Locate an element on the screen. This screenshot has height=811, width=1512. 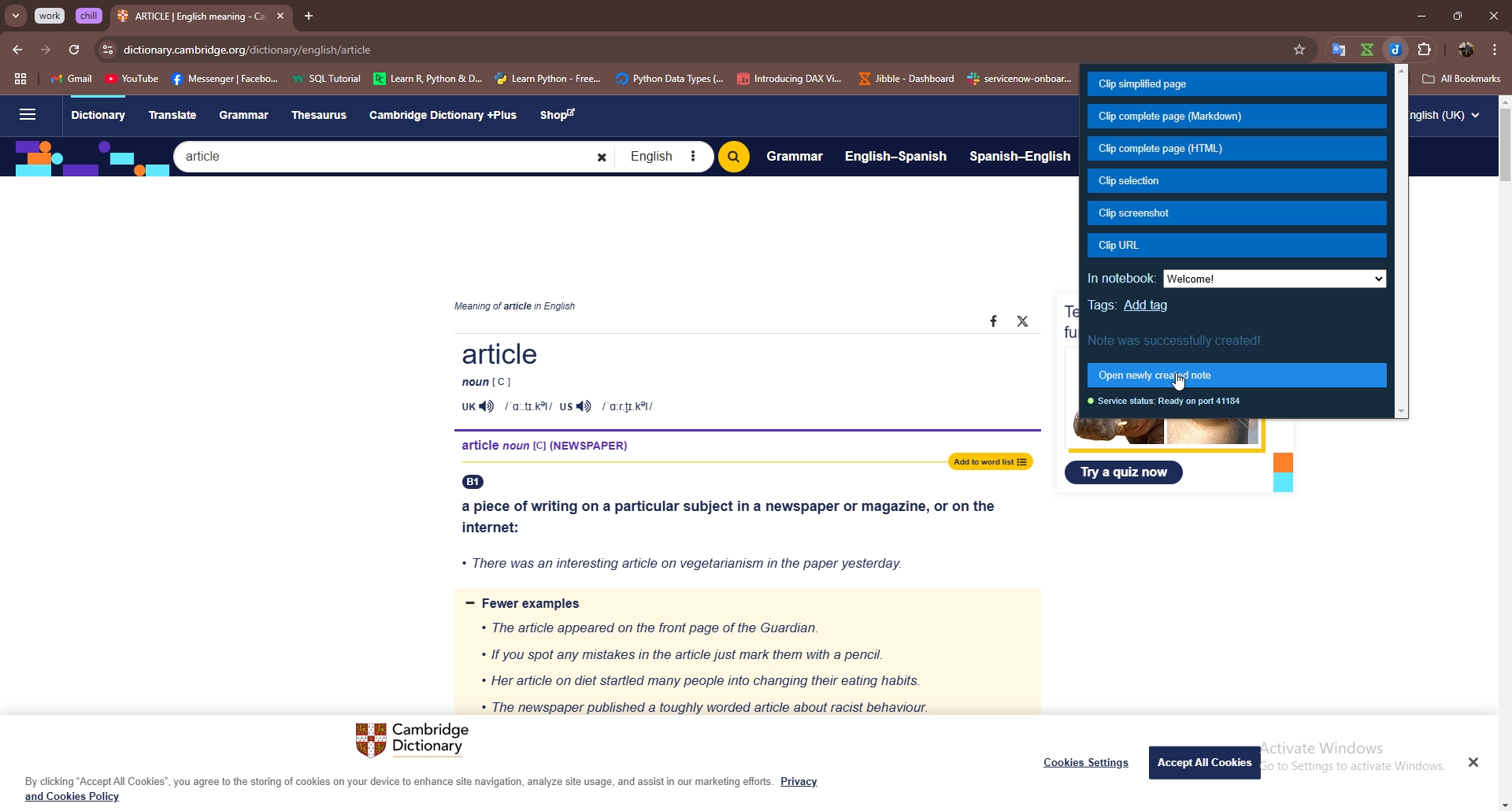
note was successfully created is located at coordinates (1179, 339).